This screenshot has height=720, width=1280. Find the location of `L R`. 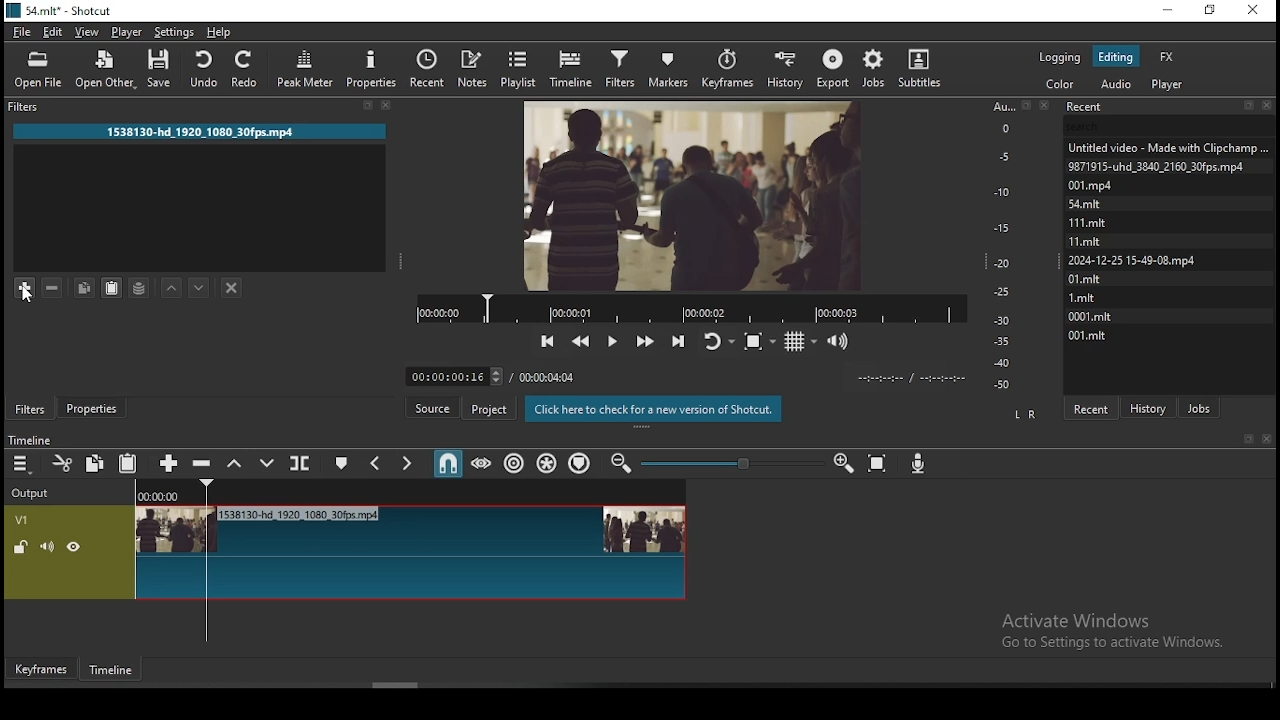

L R is located at coordinates (1027, 414).